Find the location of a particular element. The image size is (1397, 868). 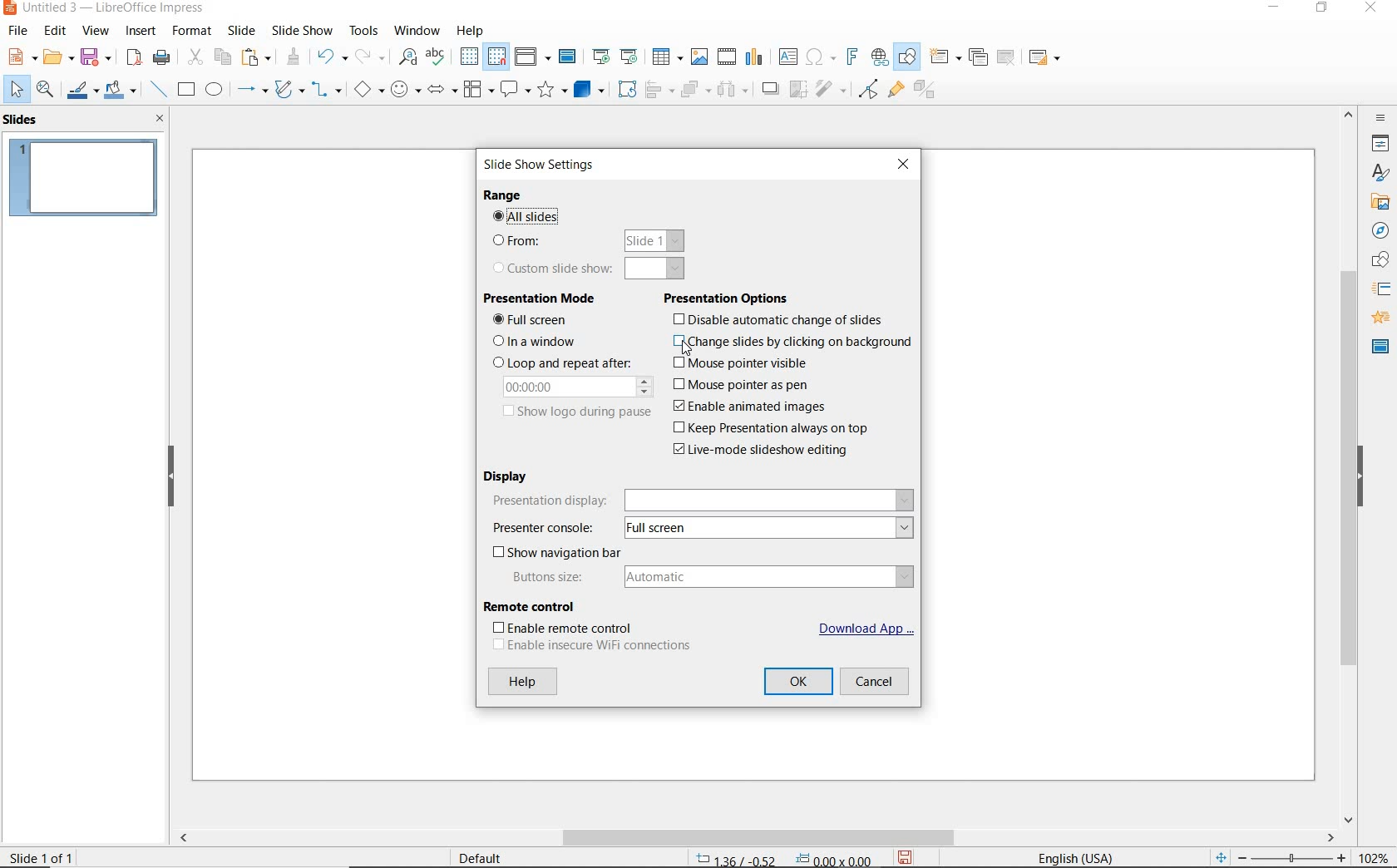

mouse pointer visible is located at coordinates (742, 363).